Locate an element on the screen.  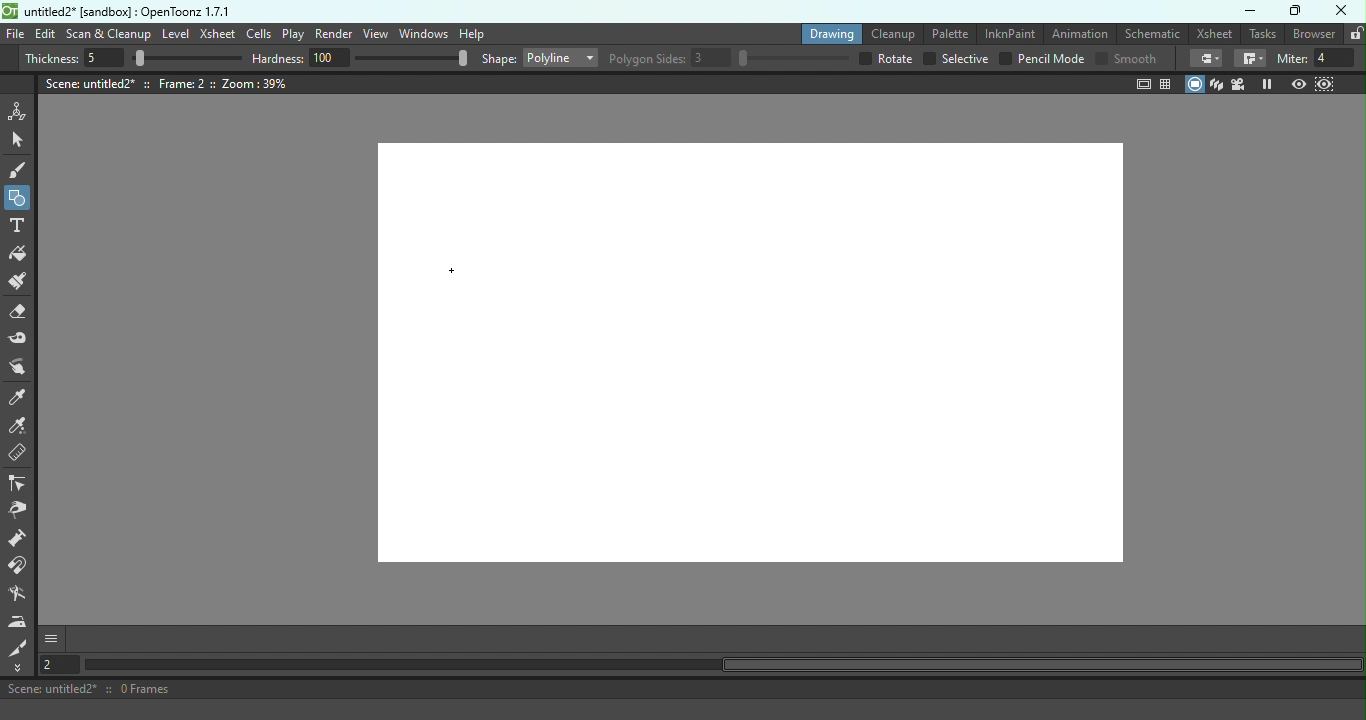
Horizontal scroll bar is located at coordinates (722, 665).